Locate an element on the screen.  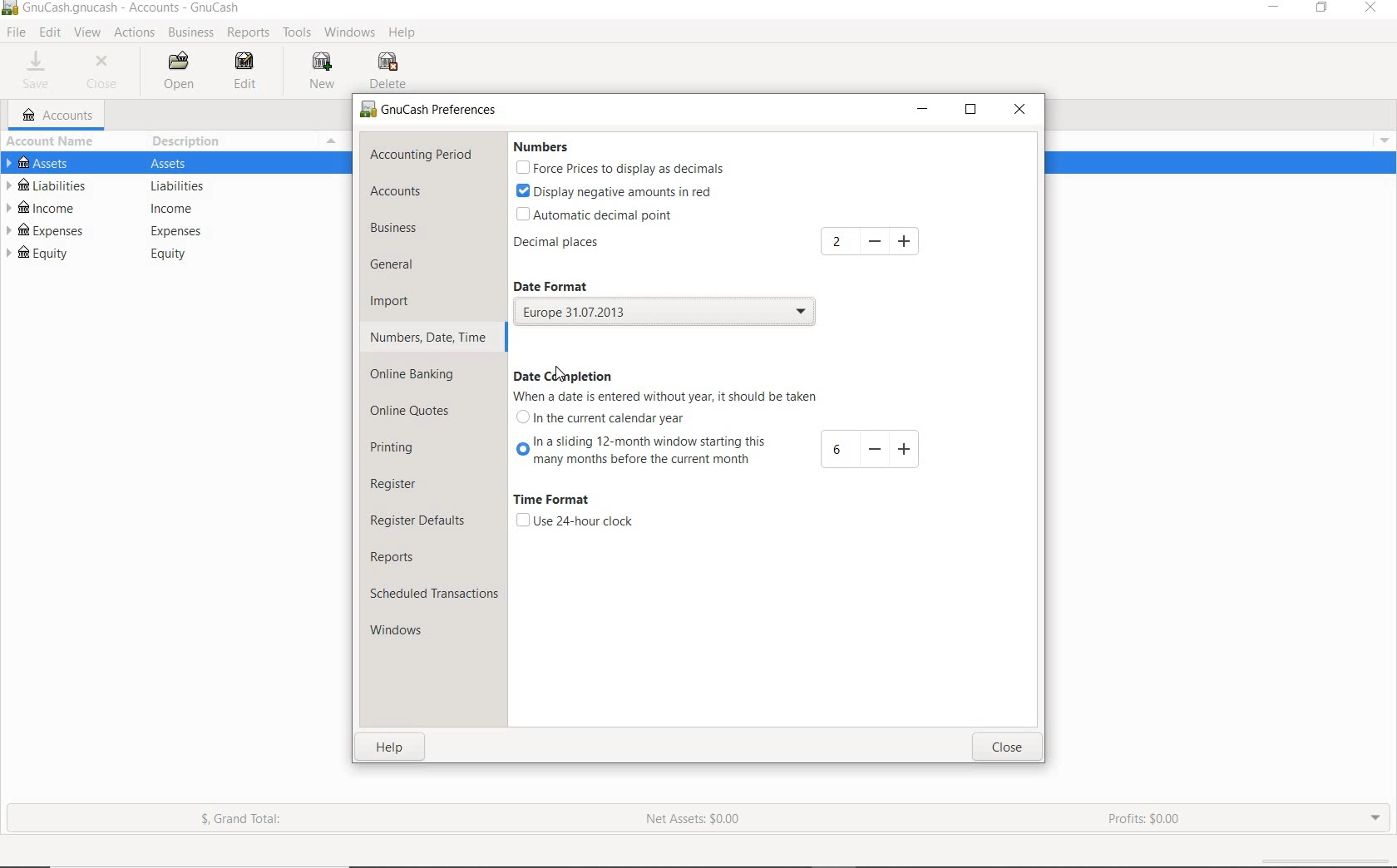
PROFIT is located at coordinates (1147, 820).